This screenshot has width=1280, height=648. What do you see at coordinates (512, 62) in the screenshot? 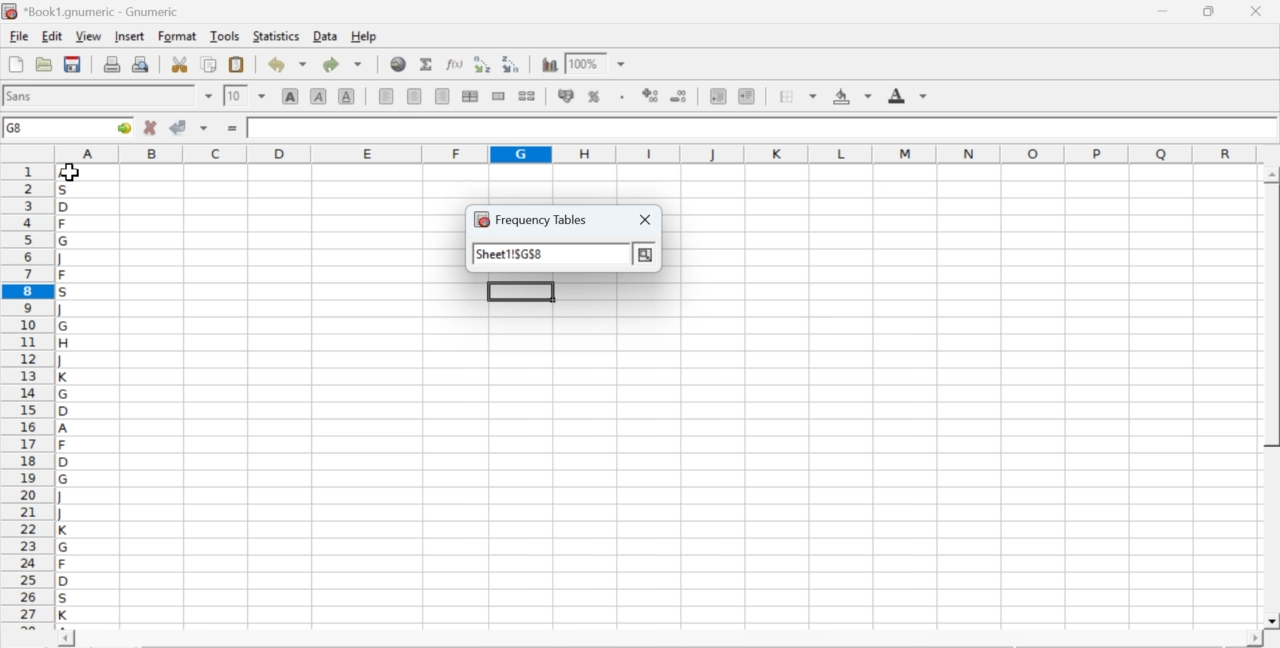
I see `Sort the selected region in descending order based on the first column selected` at bounding box center [512, 62].